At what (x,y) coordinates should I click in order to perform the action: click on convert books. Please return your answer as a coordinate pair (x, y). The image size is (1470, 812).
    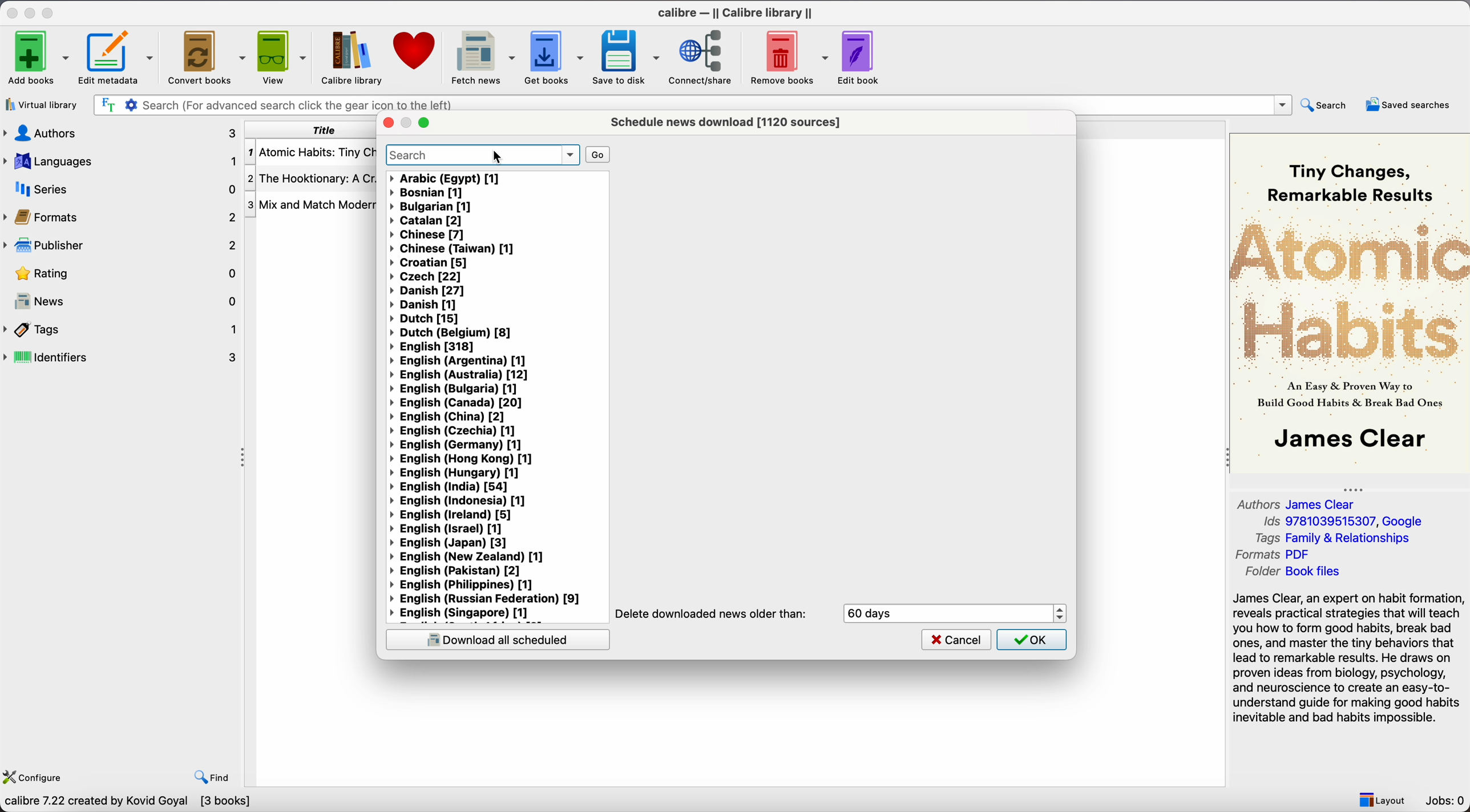
    Looking at the image, I should click on (205, 56).